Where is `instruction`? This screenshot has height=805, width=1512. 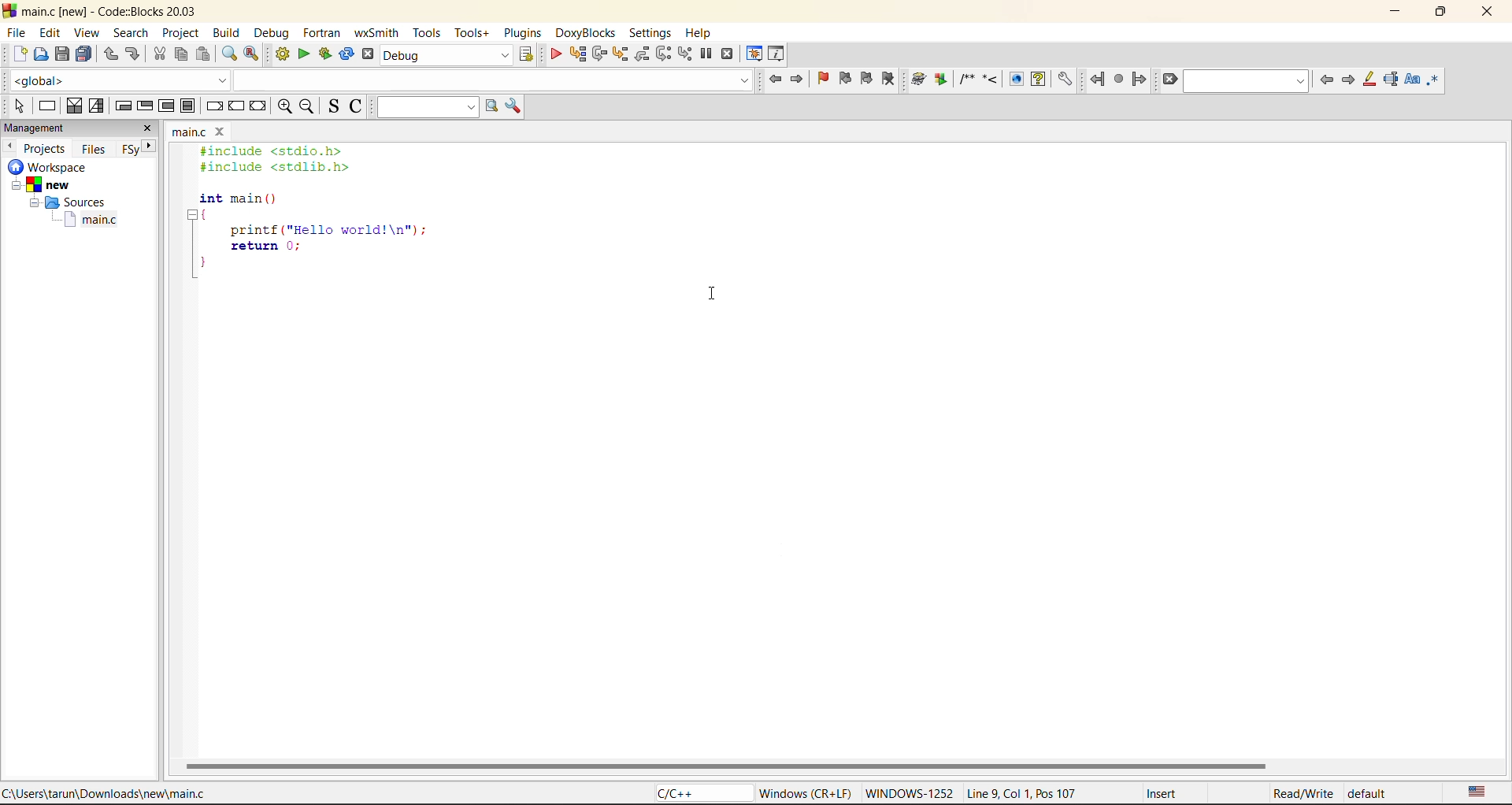 instruction is located at coordinates (50, 106).